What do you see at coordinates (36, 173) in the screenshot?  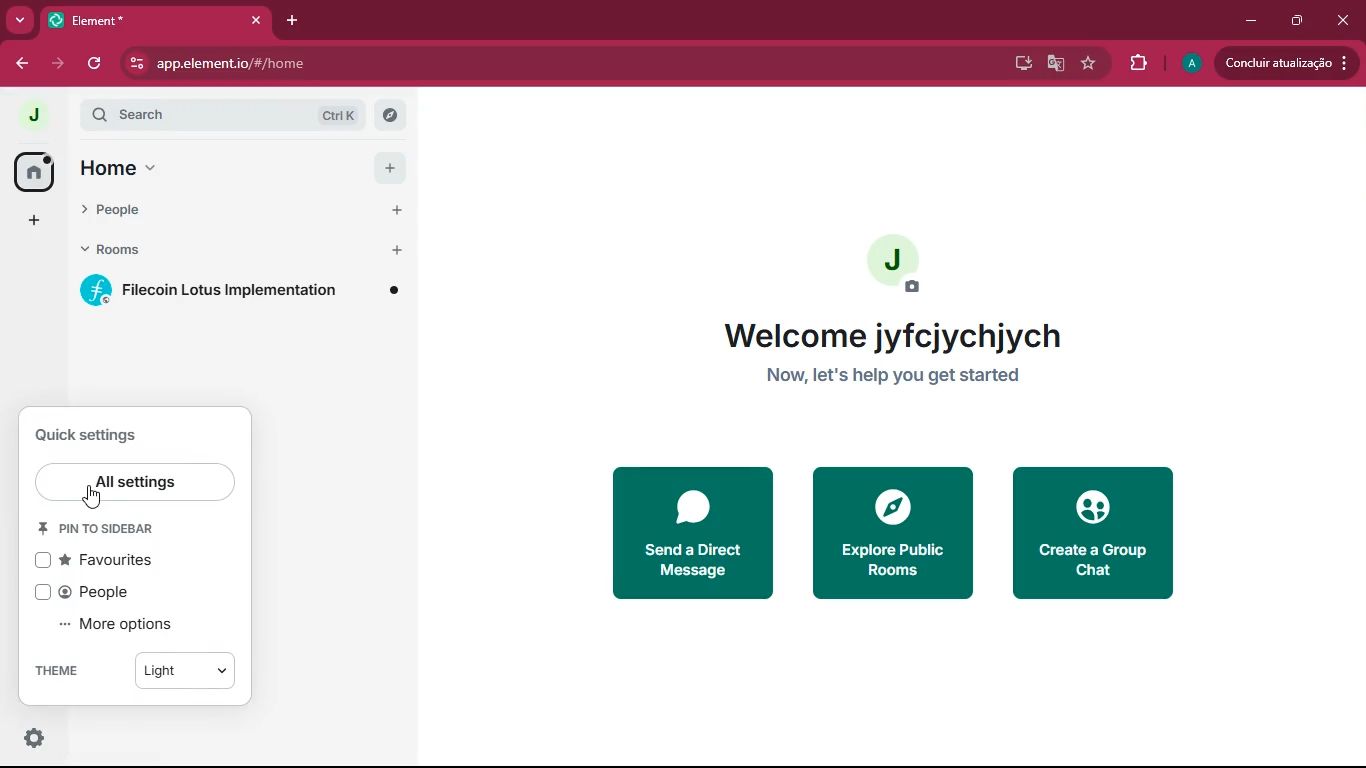 I see `home` at bounding box center [36, 173].